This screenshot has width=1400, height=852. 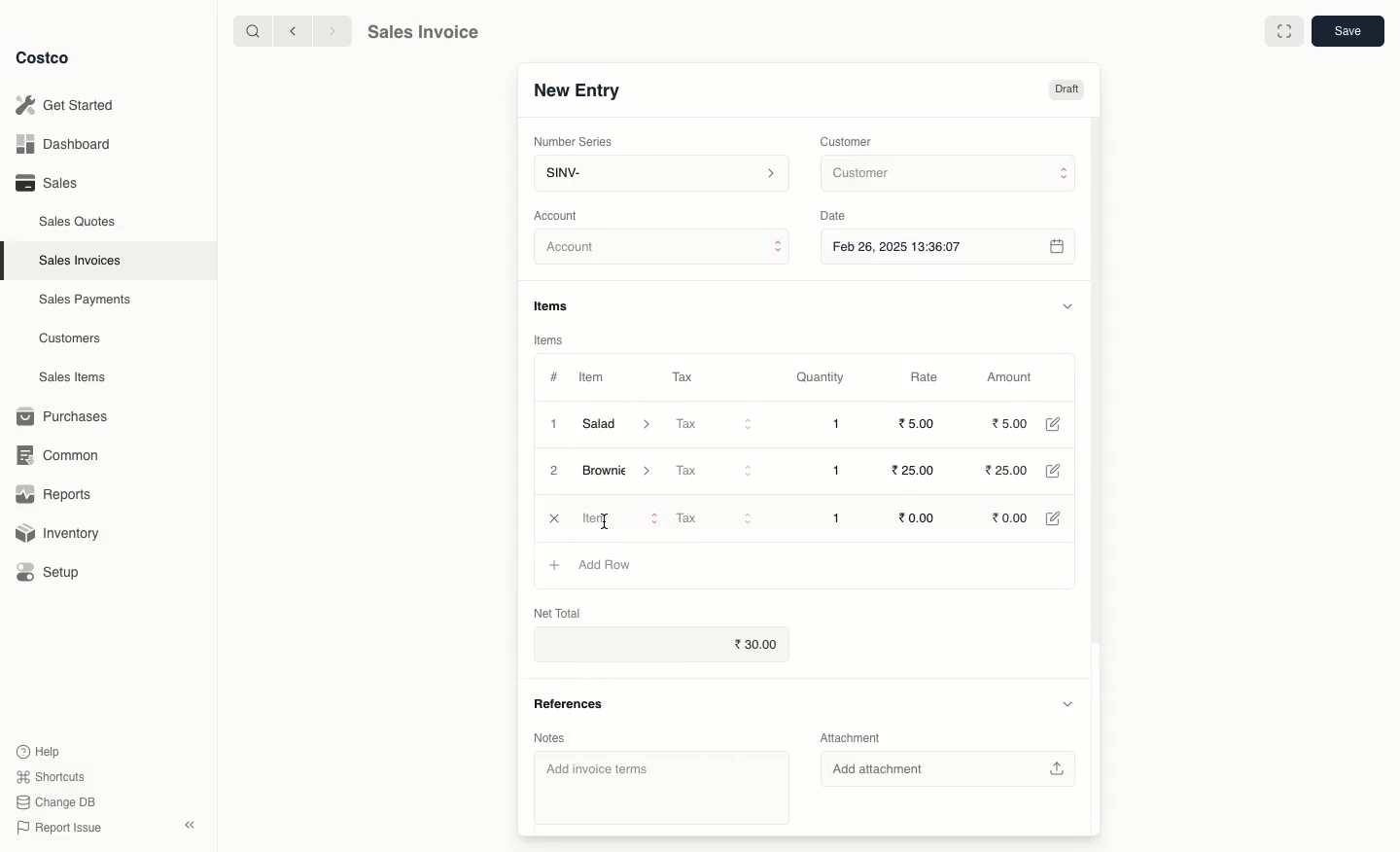 I want to click on Customer, so click(x=849, y=140).